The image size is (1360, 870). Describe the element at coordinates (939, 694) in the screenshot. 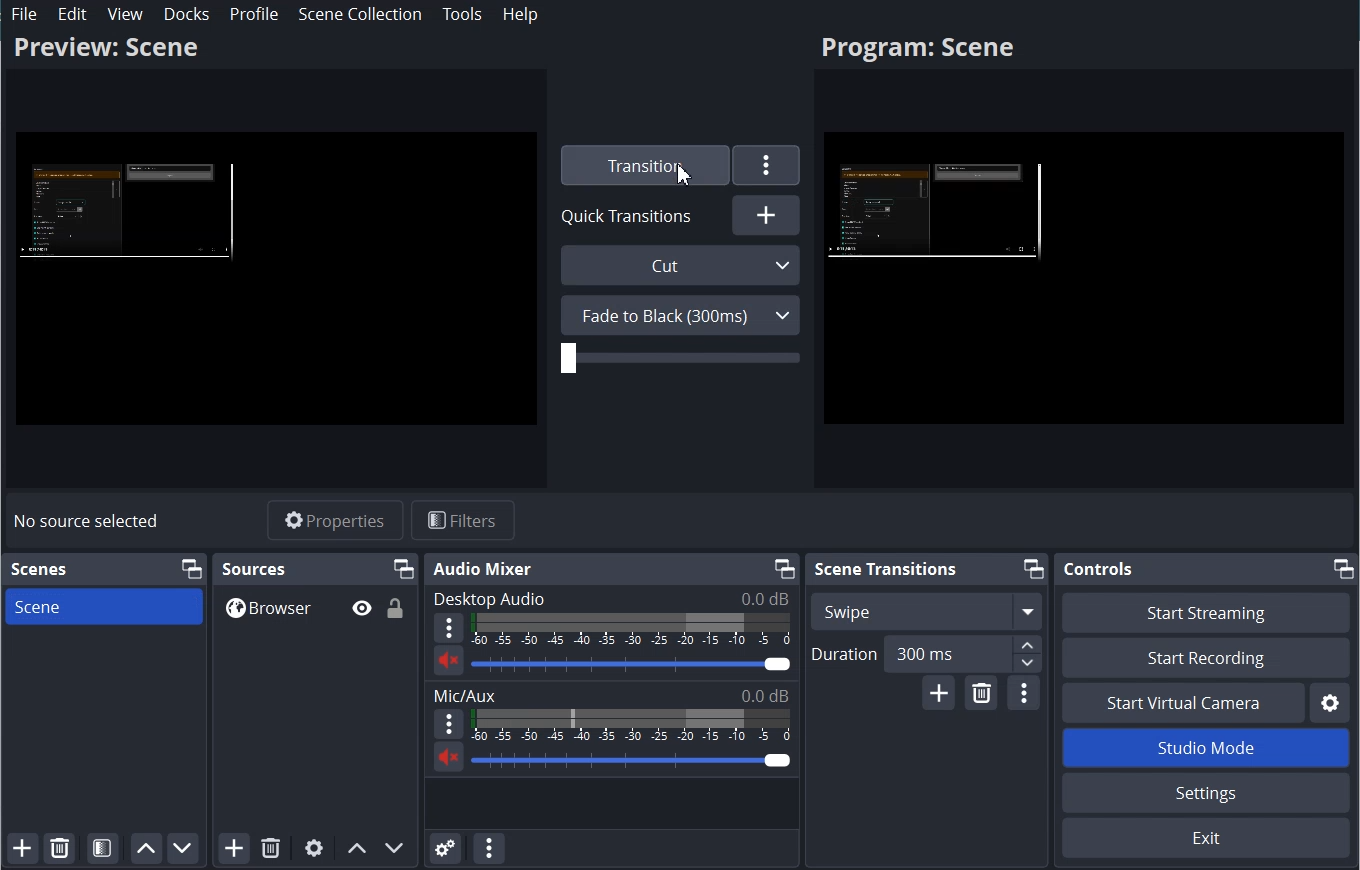

I see `Add Configurable Transition` at that location.